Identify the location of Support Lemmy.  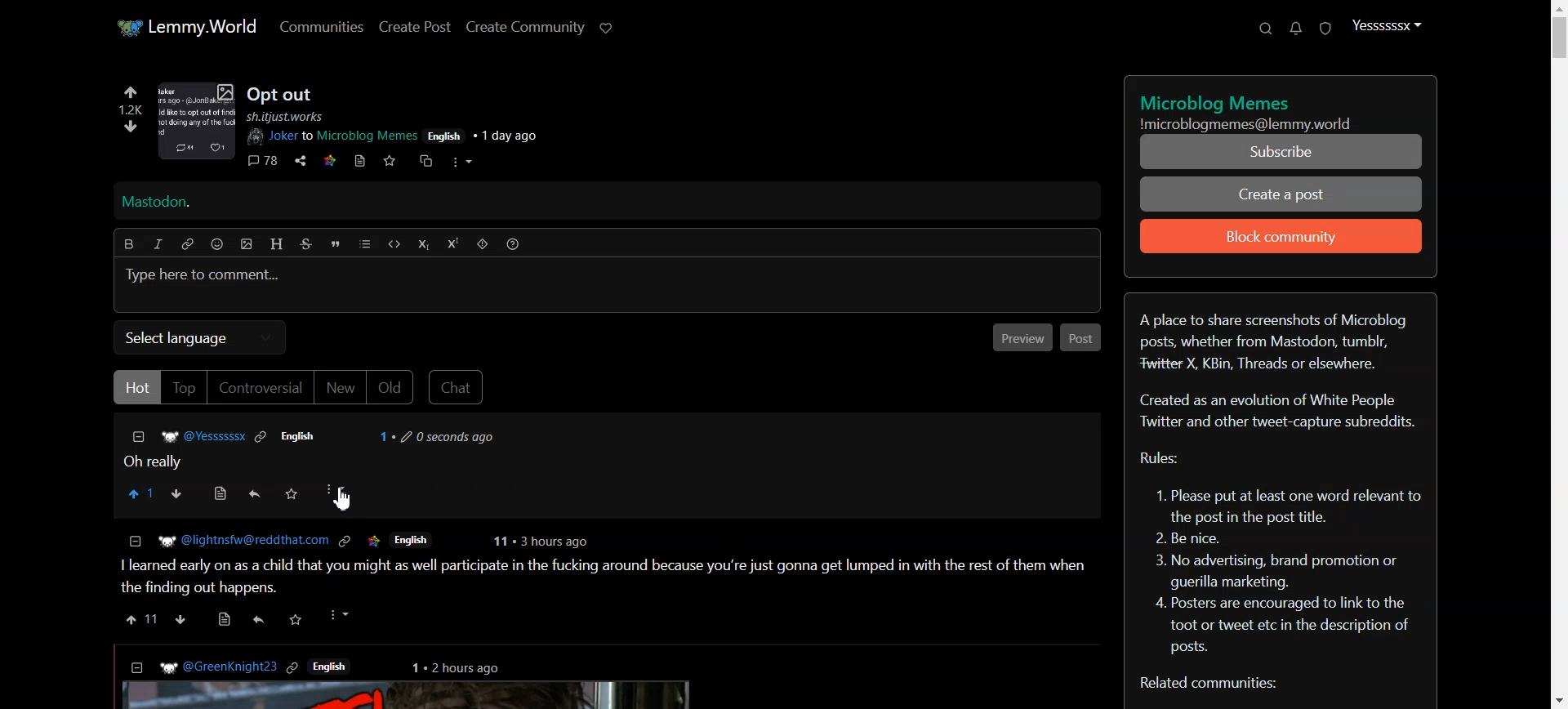
(608, 29).